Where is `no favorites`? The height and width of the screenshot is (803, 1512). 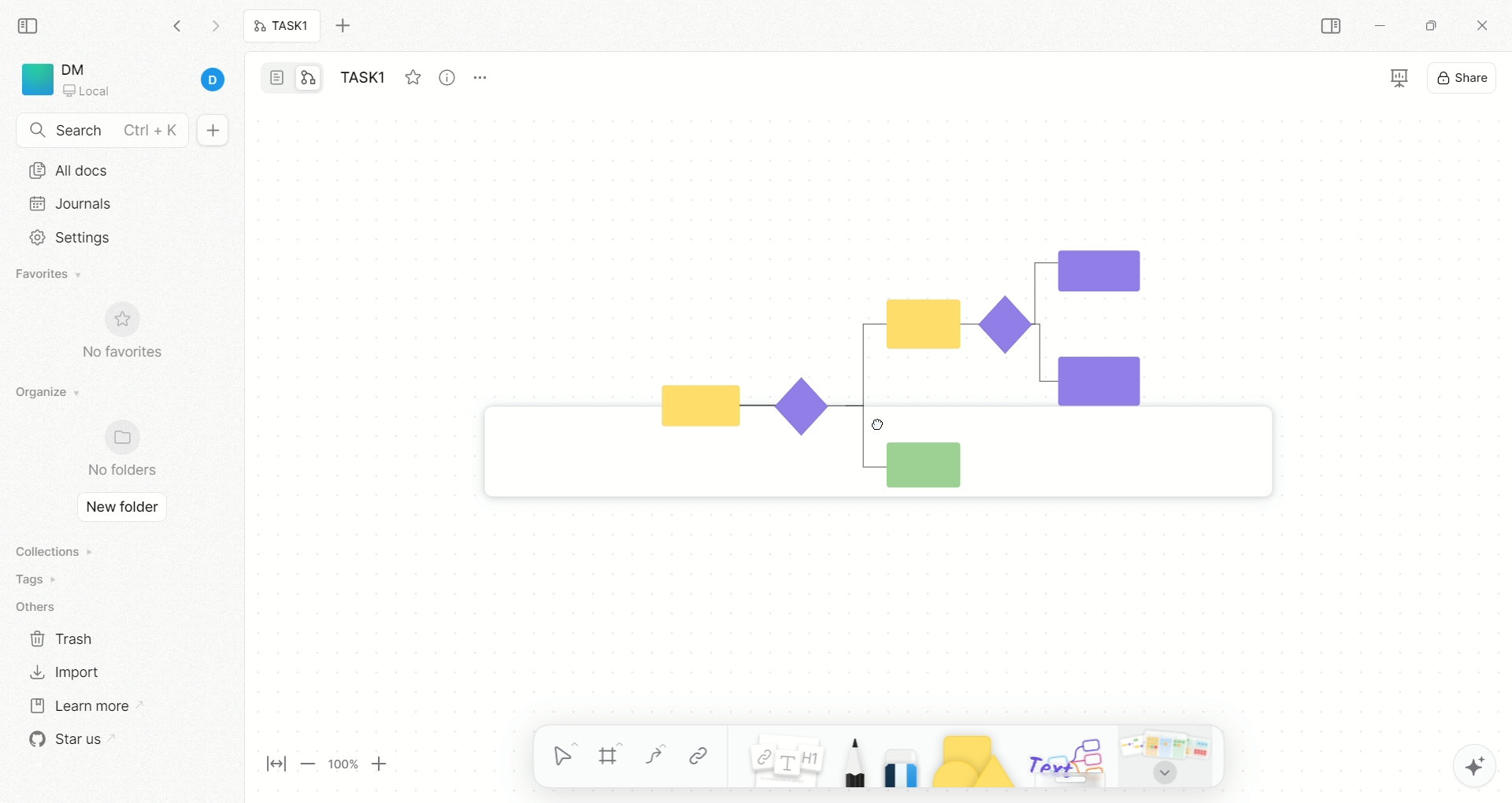 no favorites is located at coordinates (130, 340).